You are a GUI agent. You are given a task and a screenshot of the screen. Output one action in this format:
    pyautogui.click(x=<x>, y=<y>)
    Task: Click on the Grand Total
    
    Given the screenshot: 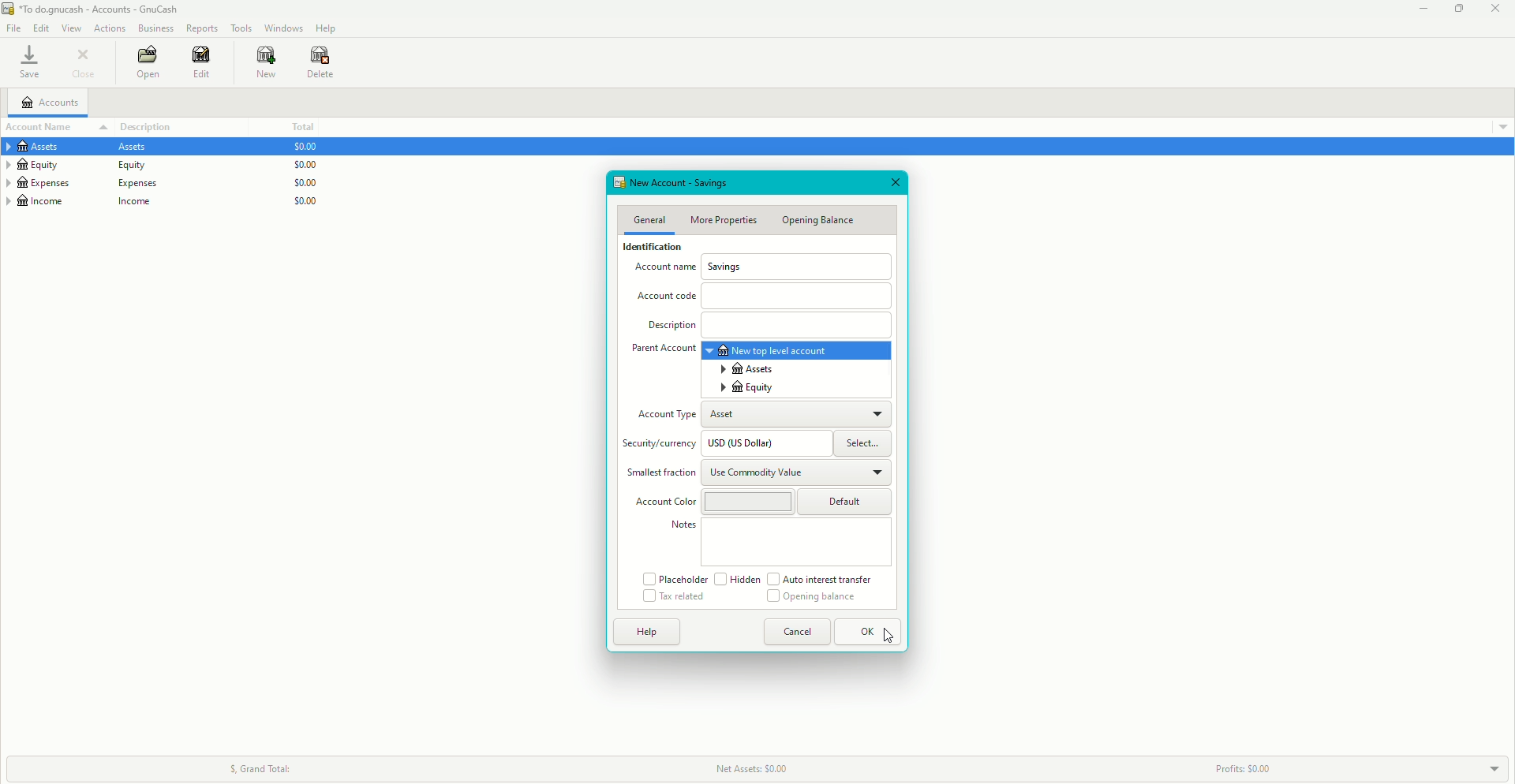 What is the action you would take?
    pyautogui.click(x=258, y=766)
    